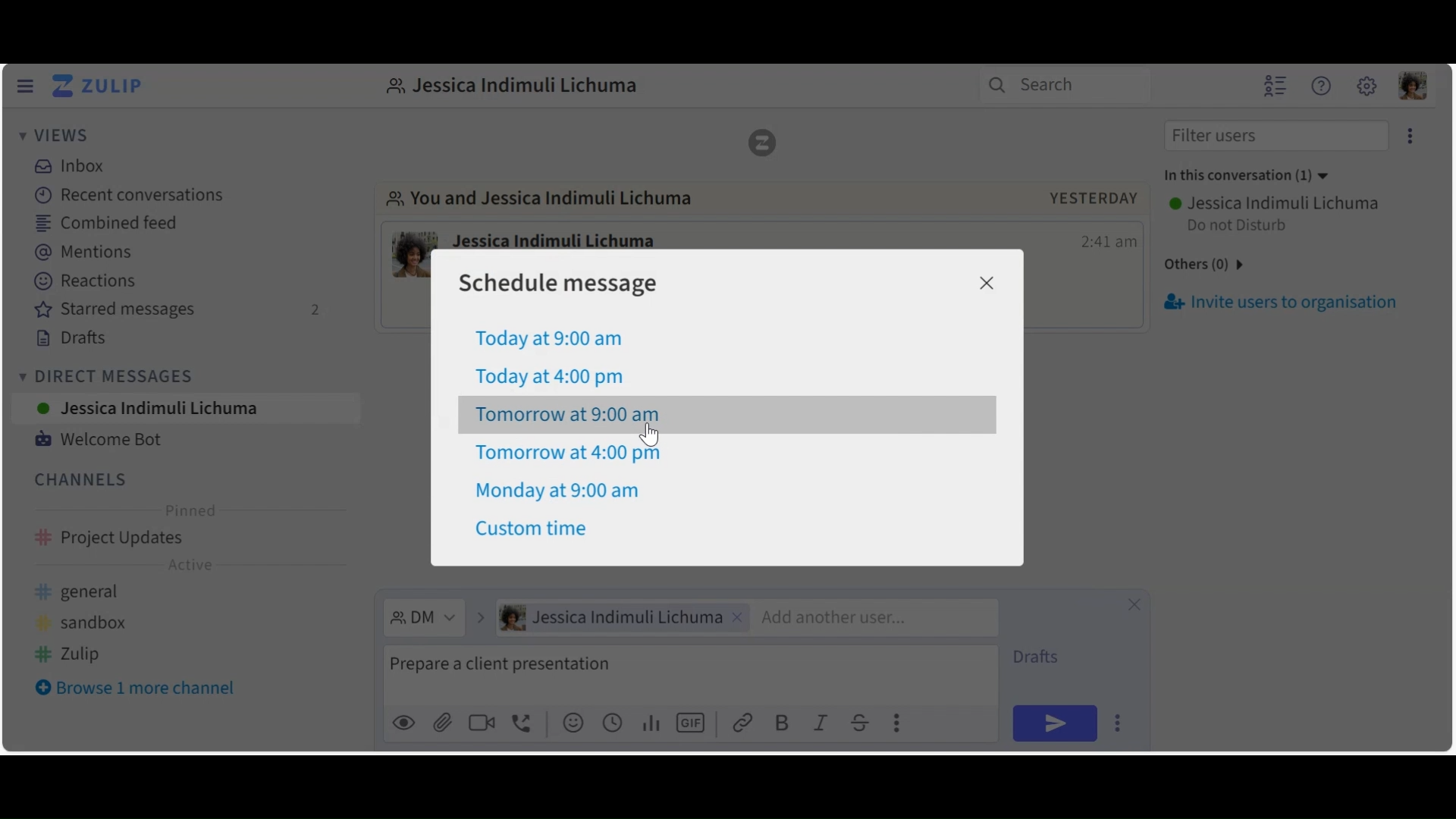 This screenshot has height=819, width=1456. I want to click on Active, so click(190, 567).